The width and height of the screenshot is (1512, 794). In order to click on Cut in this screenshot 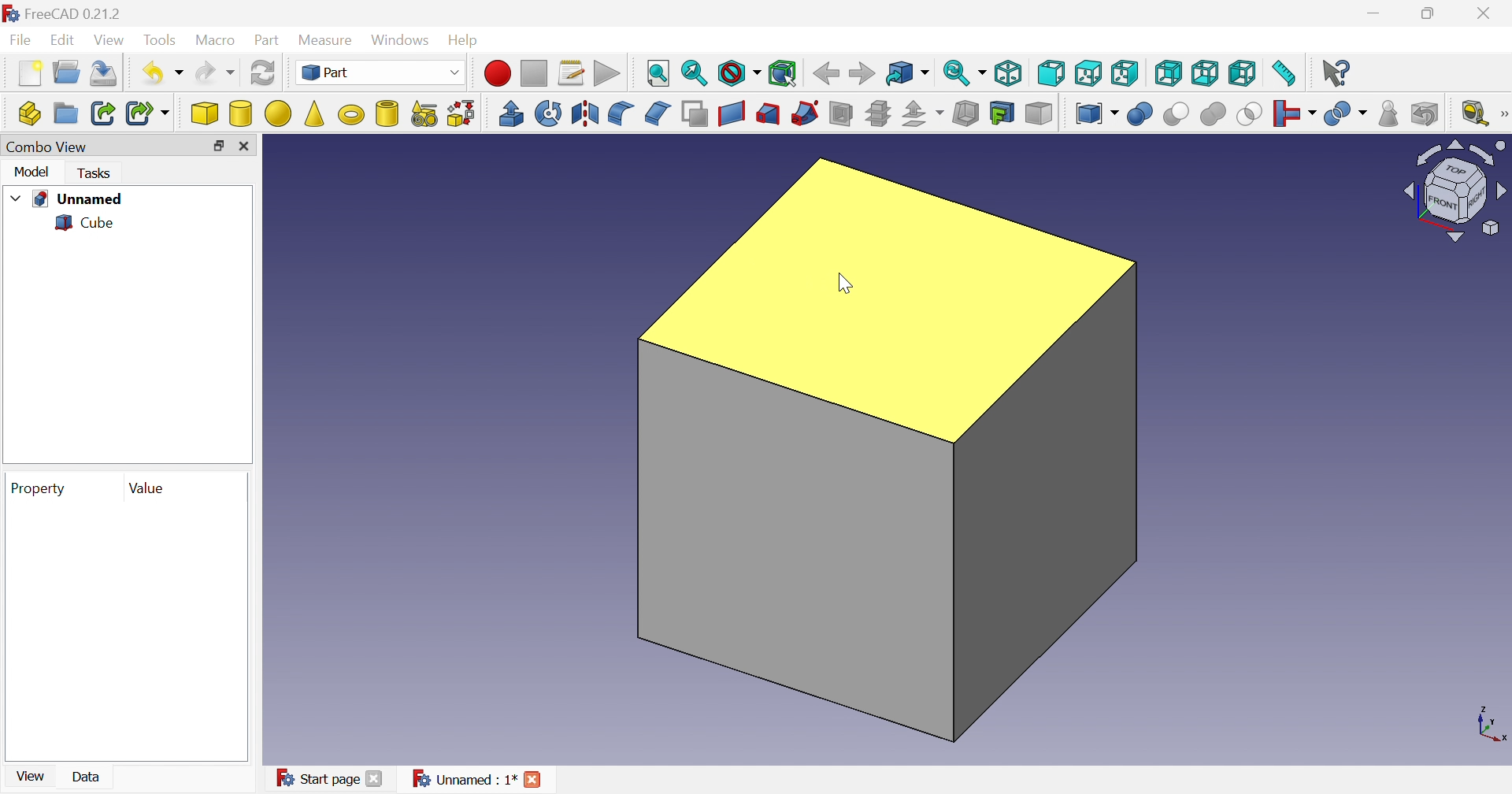, I will do `click(1179, 115)`.